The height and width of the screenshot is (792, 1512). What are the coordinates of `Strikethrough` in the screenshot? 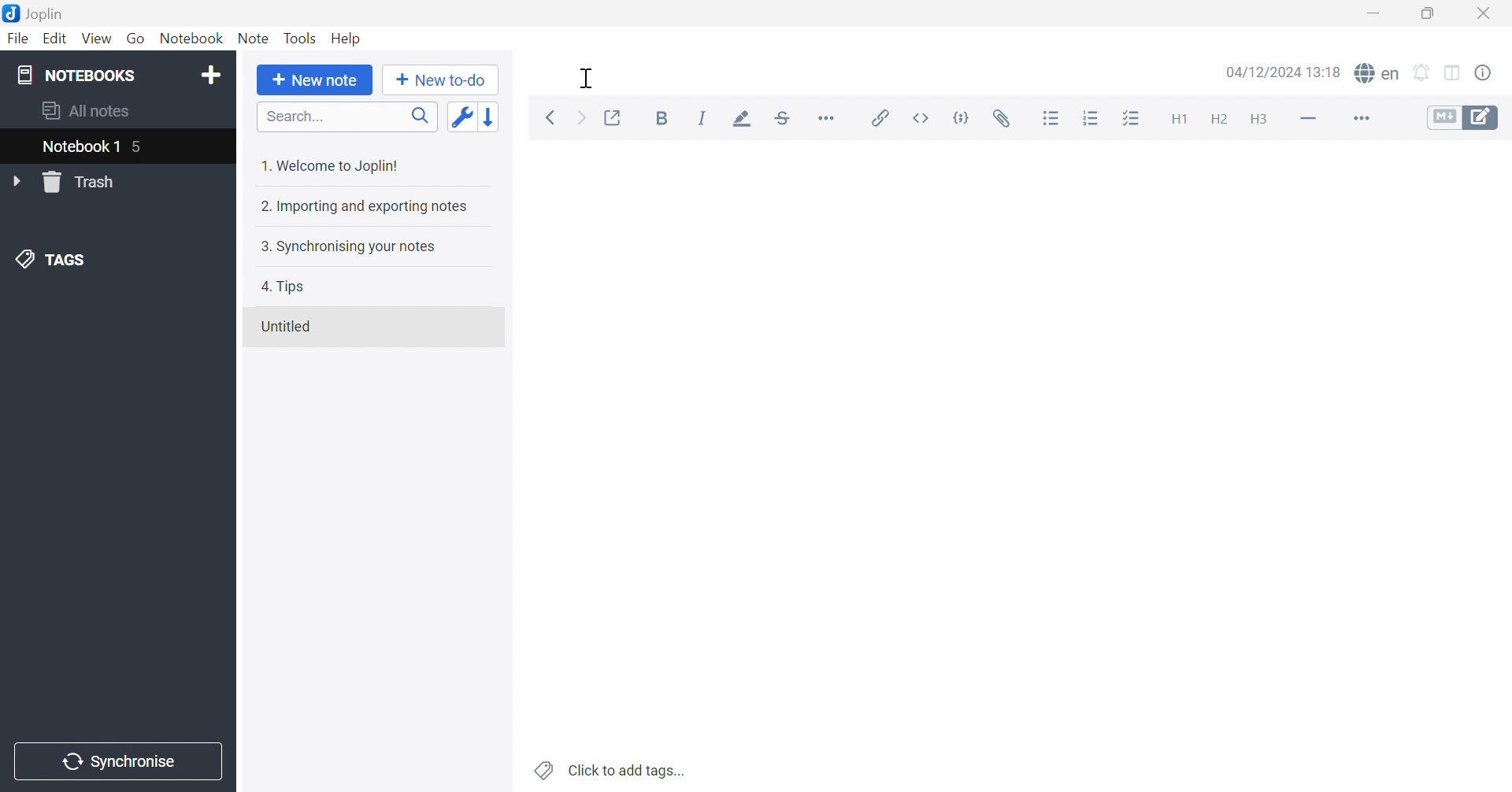 It's located at (786, 115).